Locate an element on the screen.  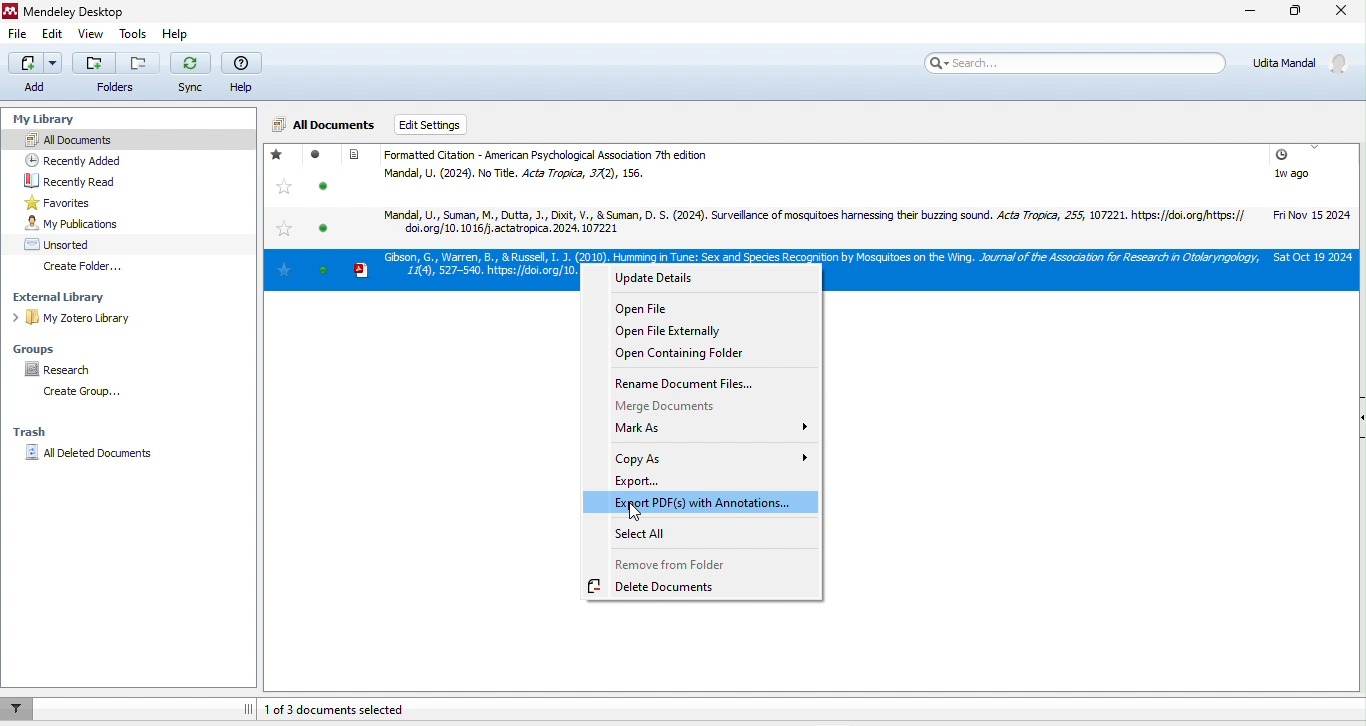
year is located at coordinates (1315, 192).